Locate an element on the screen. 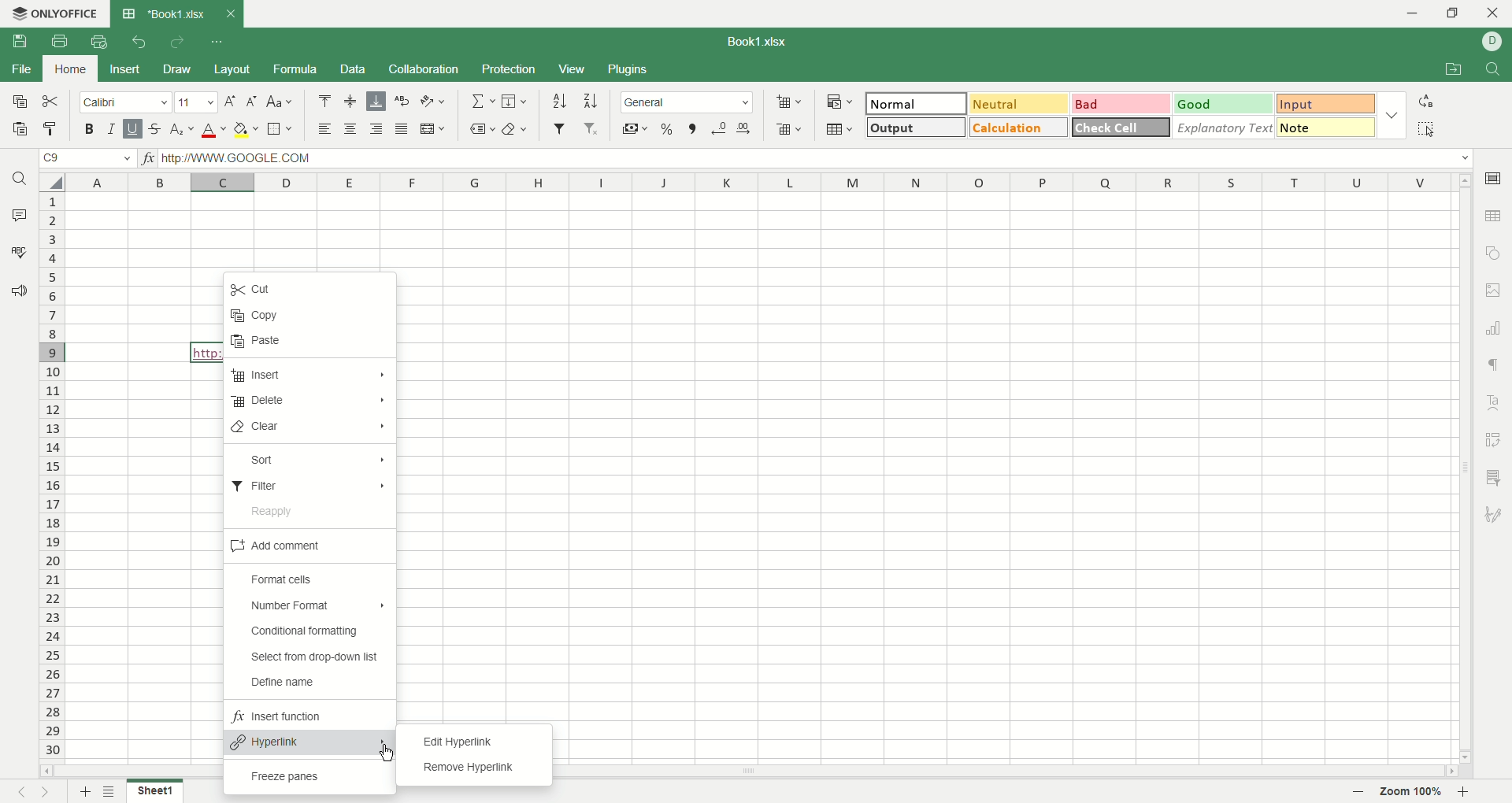 The width and height of the screenshot is (1512, 803). subscript is located at coordinates (181, 131).